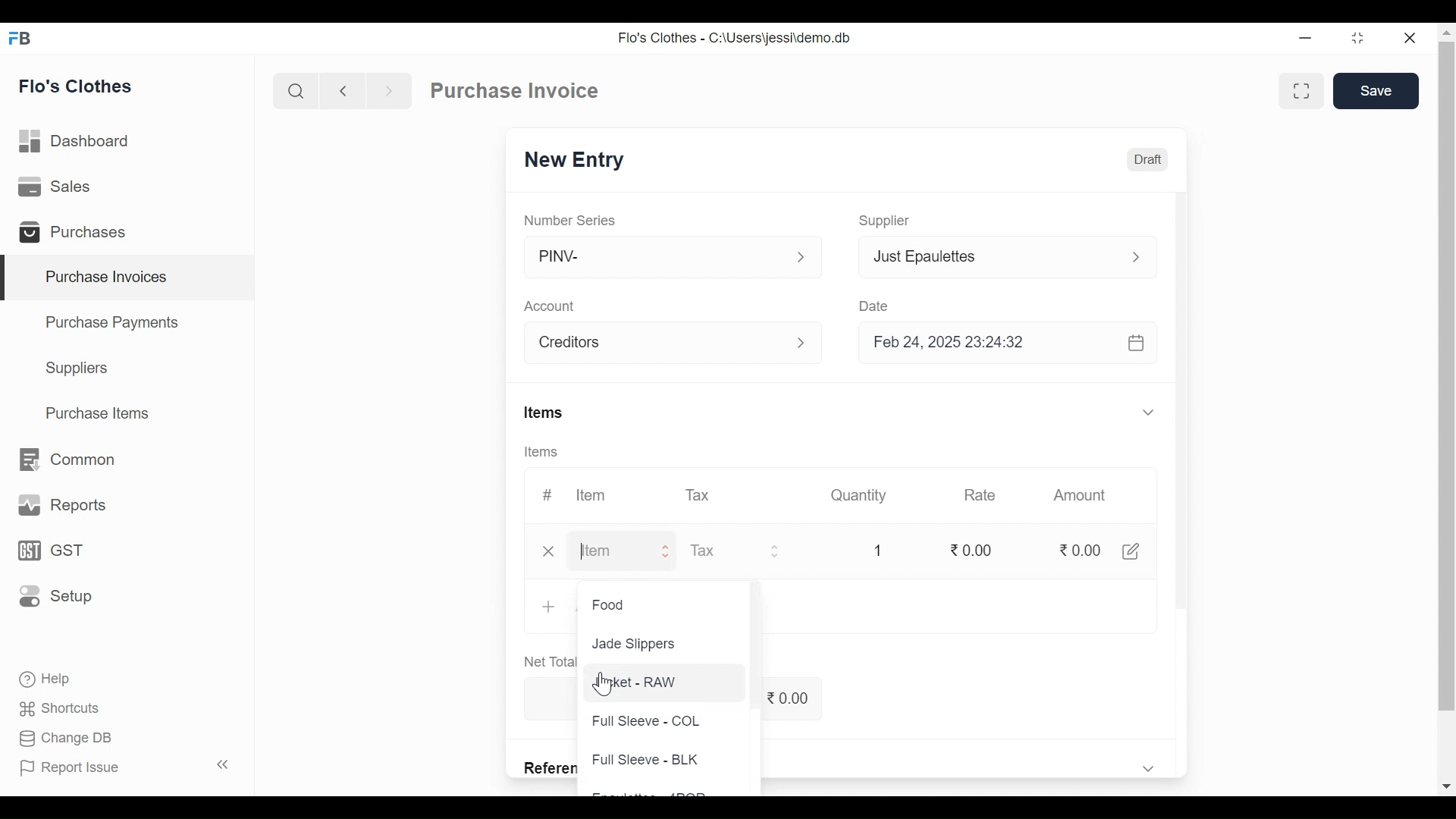  What do you see at coordinates (983, 495) in the screenshot?
I see `Rate` at bounding box center [983, 495].